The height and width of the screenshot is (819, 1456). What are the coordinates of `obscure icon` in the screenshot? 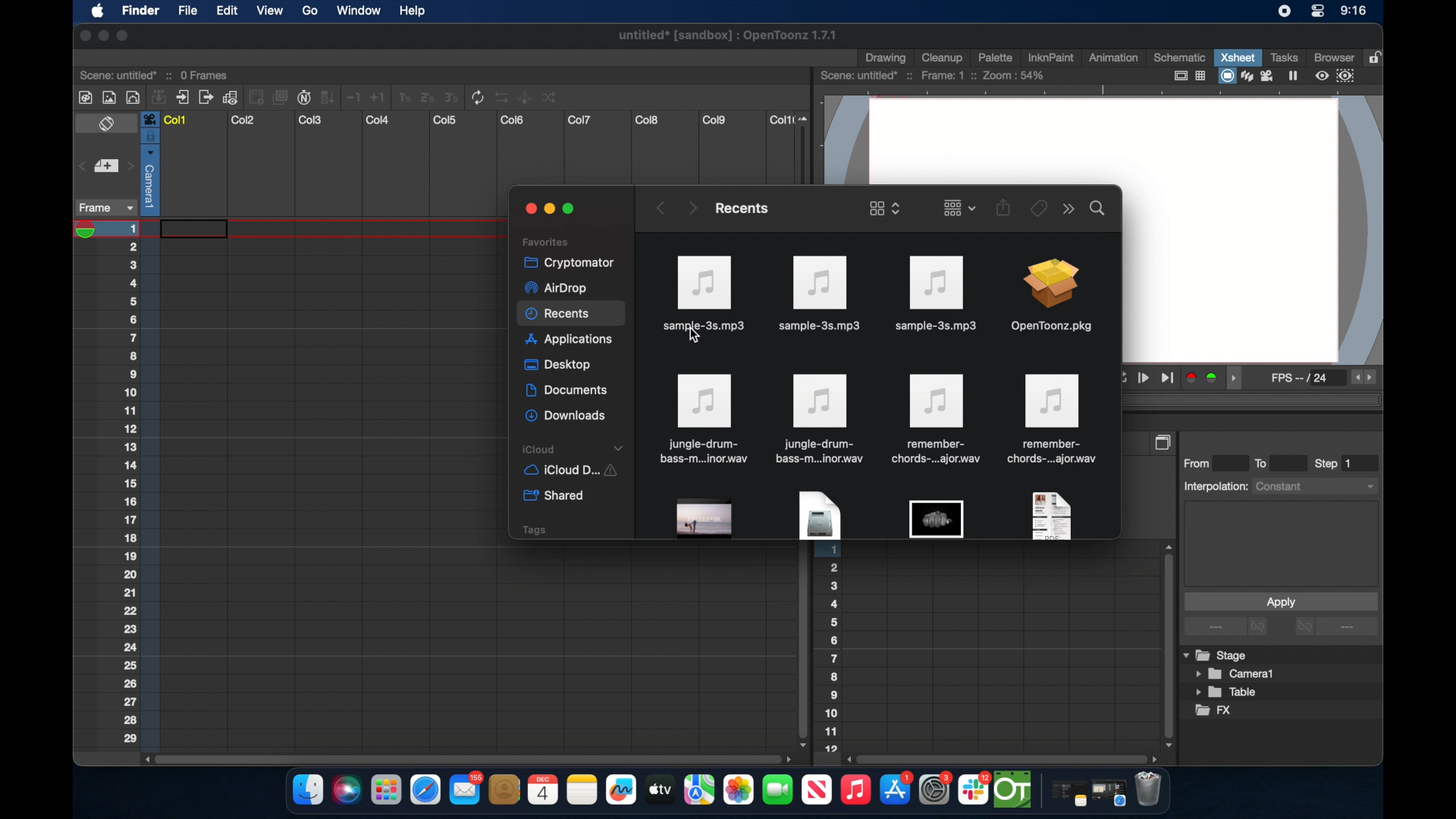 It's located at (818, 516).